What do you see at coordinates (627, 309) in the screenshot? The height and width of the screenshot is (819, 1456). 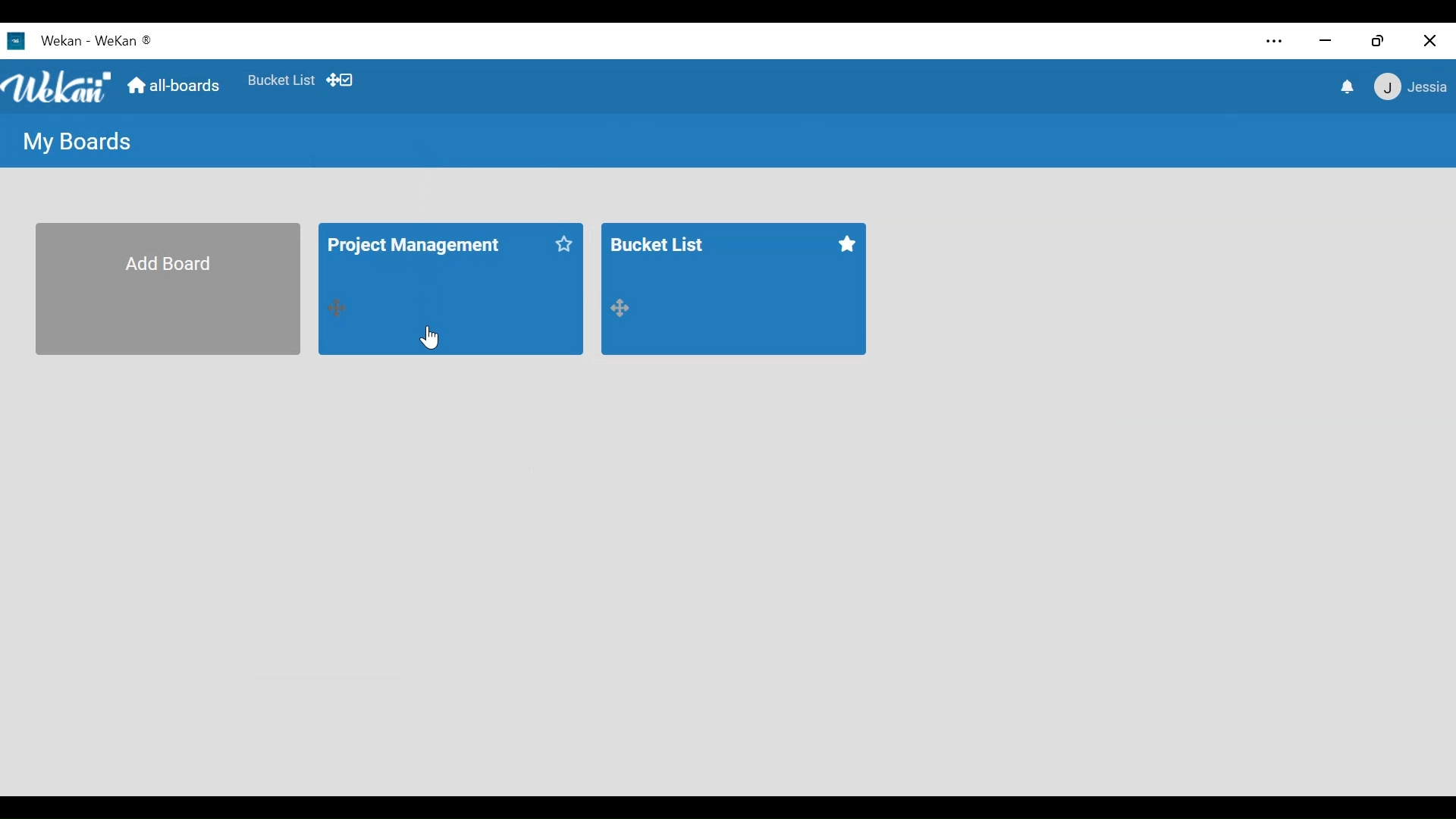 I see `Desktop drag handle` at bounding box center [627, 309].